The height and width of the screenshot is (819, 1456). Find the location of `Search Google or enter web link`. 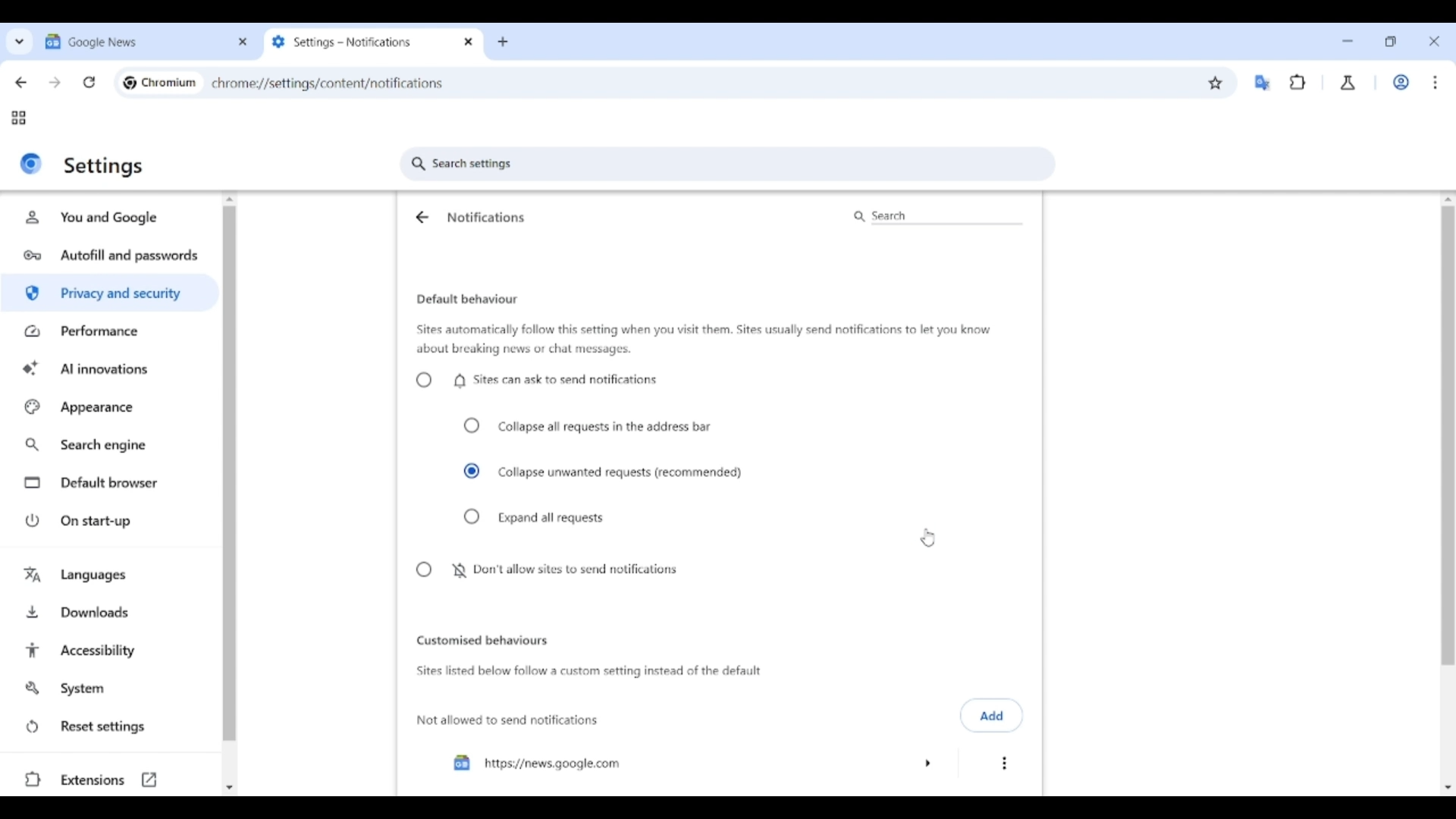

Search Google or enter web link is located at coordinates (815, 83).